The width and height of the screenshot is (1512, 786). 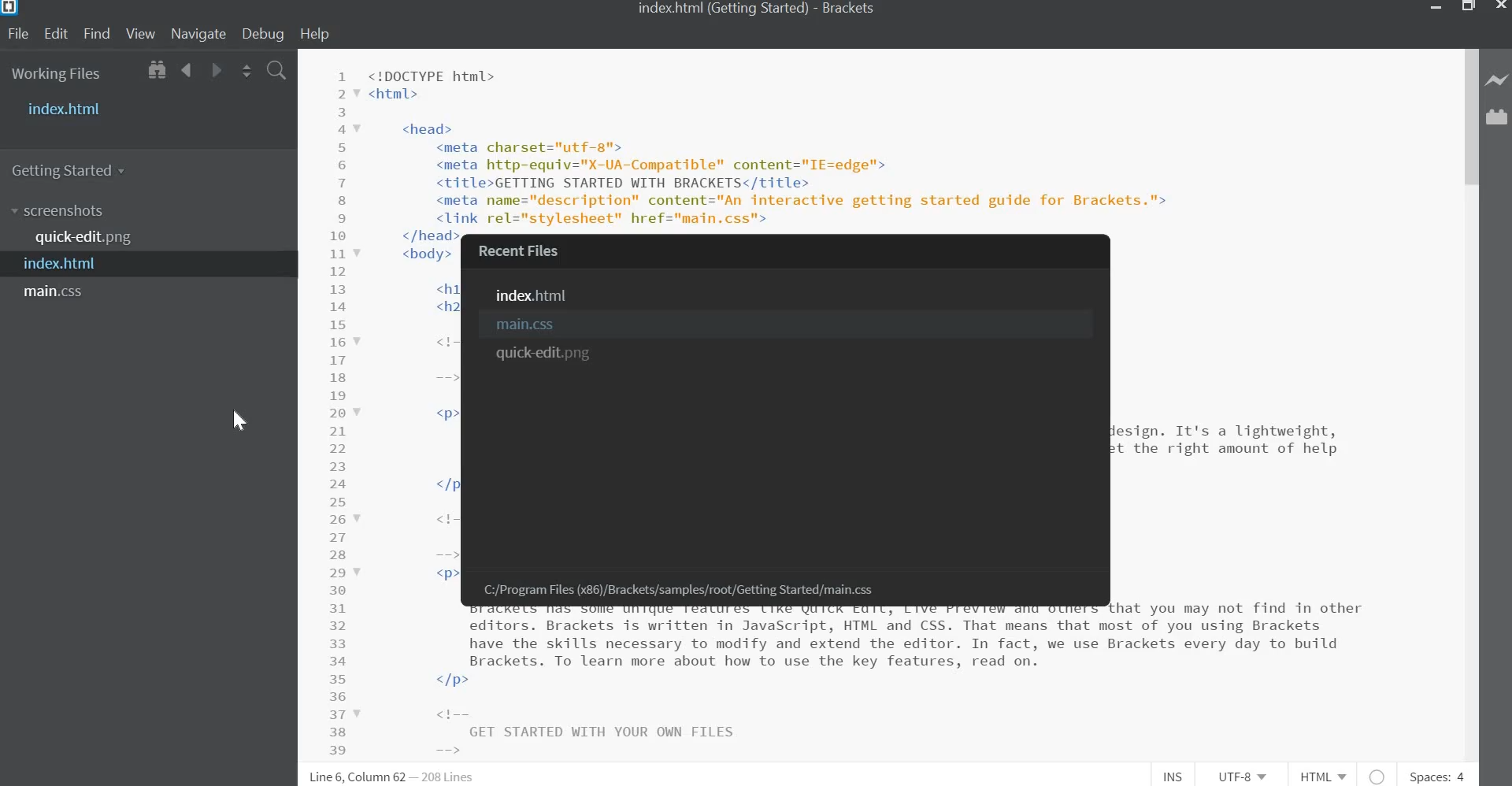 I want to click on Close, so click(x=1499, y=7).